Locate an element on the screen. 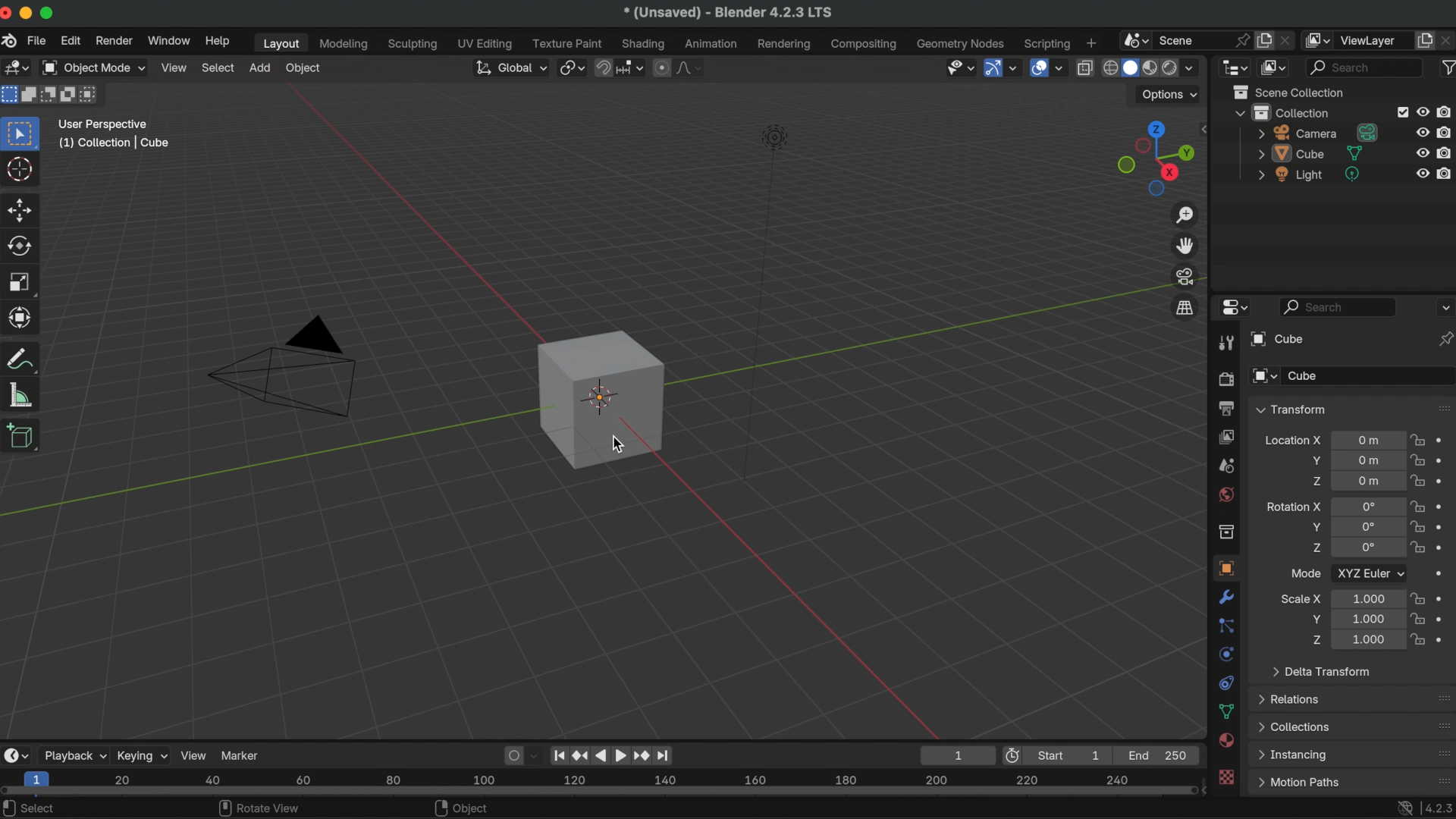 The image size is (1456, 819). lock rotation is located at coordinates (1420, 549).